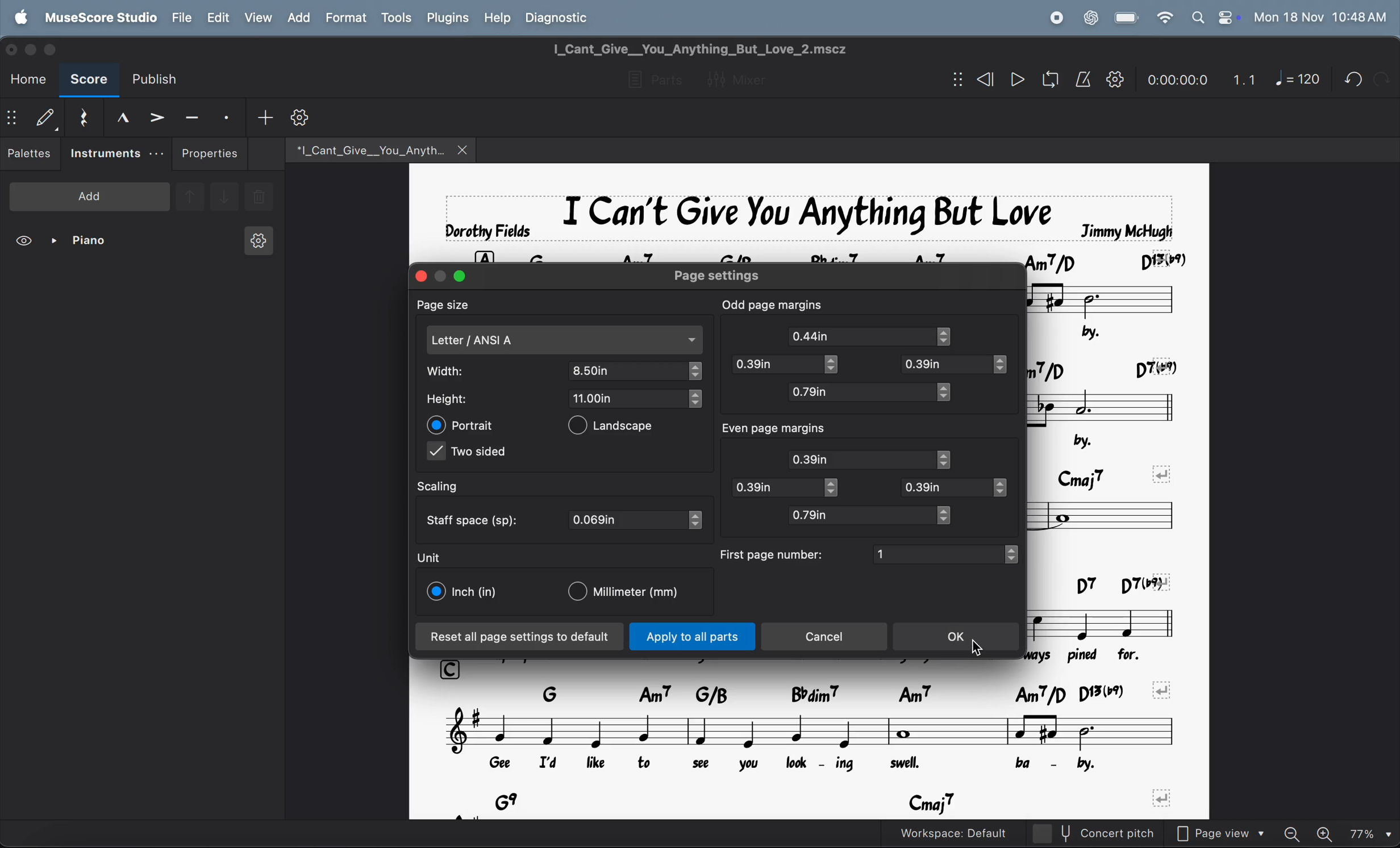 This screenshot has height=848, width=1400. Describe the element at coordinates (981, 648) in the screenshot. I see `cursor` at that location.